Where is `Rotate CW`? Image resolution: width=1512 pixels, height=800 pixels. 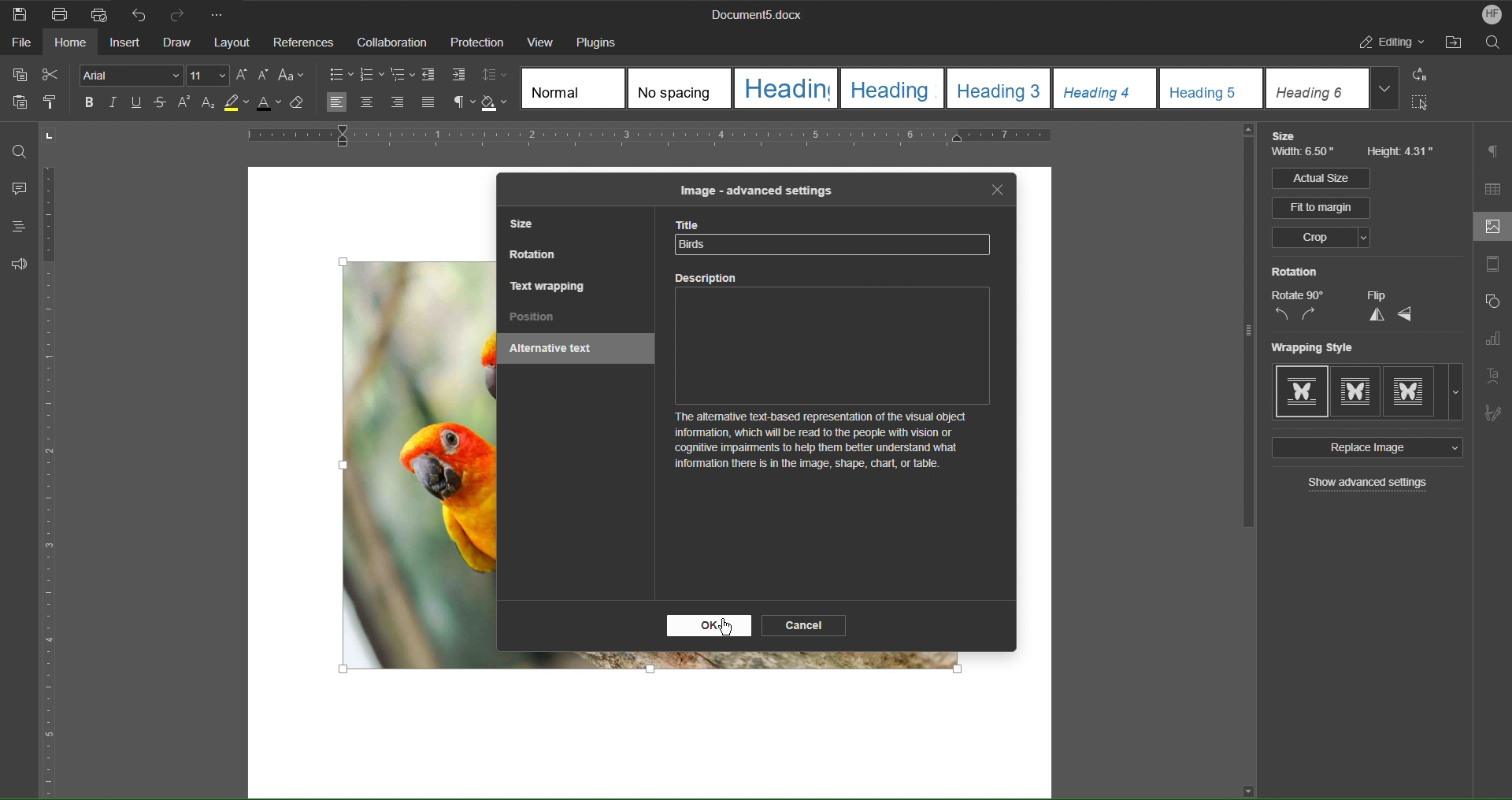 Rotate CW is located at coordinates (1310, 315).